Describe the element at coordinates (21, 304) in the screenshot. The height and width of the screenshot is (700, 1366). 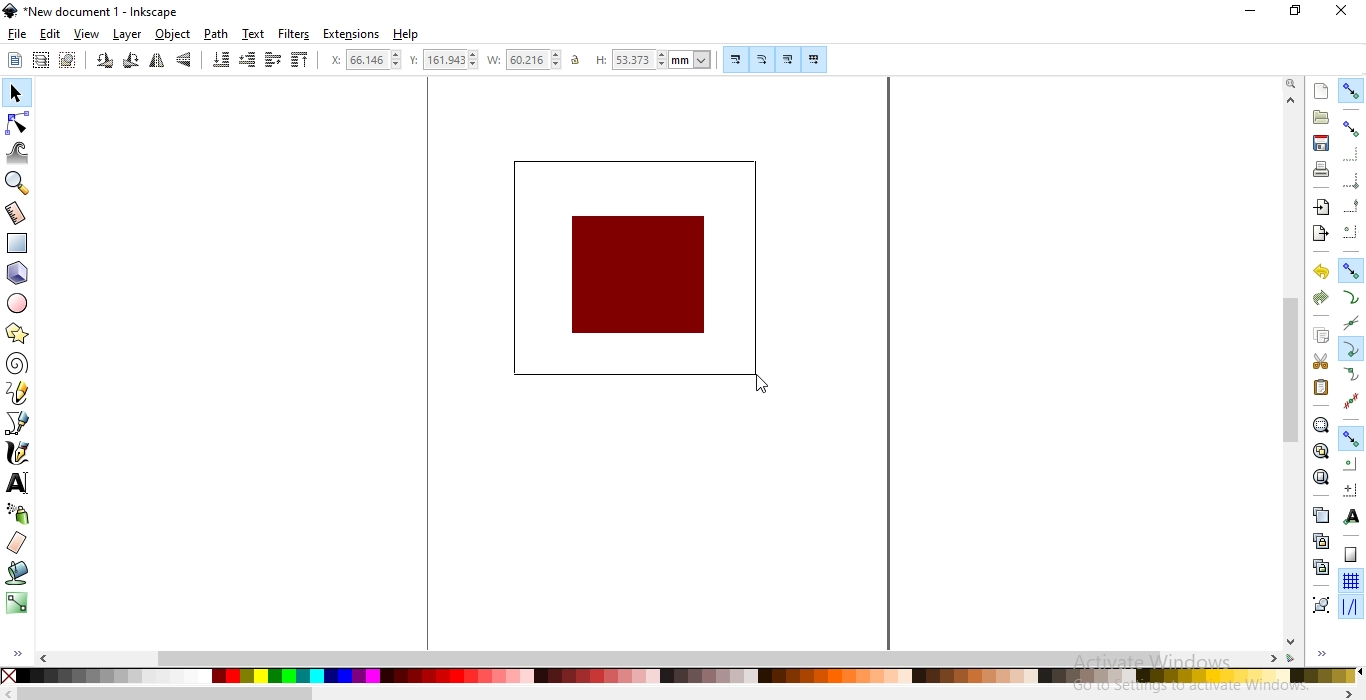
I see `creates circles, arcs and ellipses` at that location.